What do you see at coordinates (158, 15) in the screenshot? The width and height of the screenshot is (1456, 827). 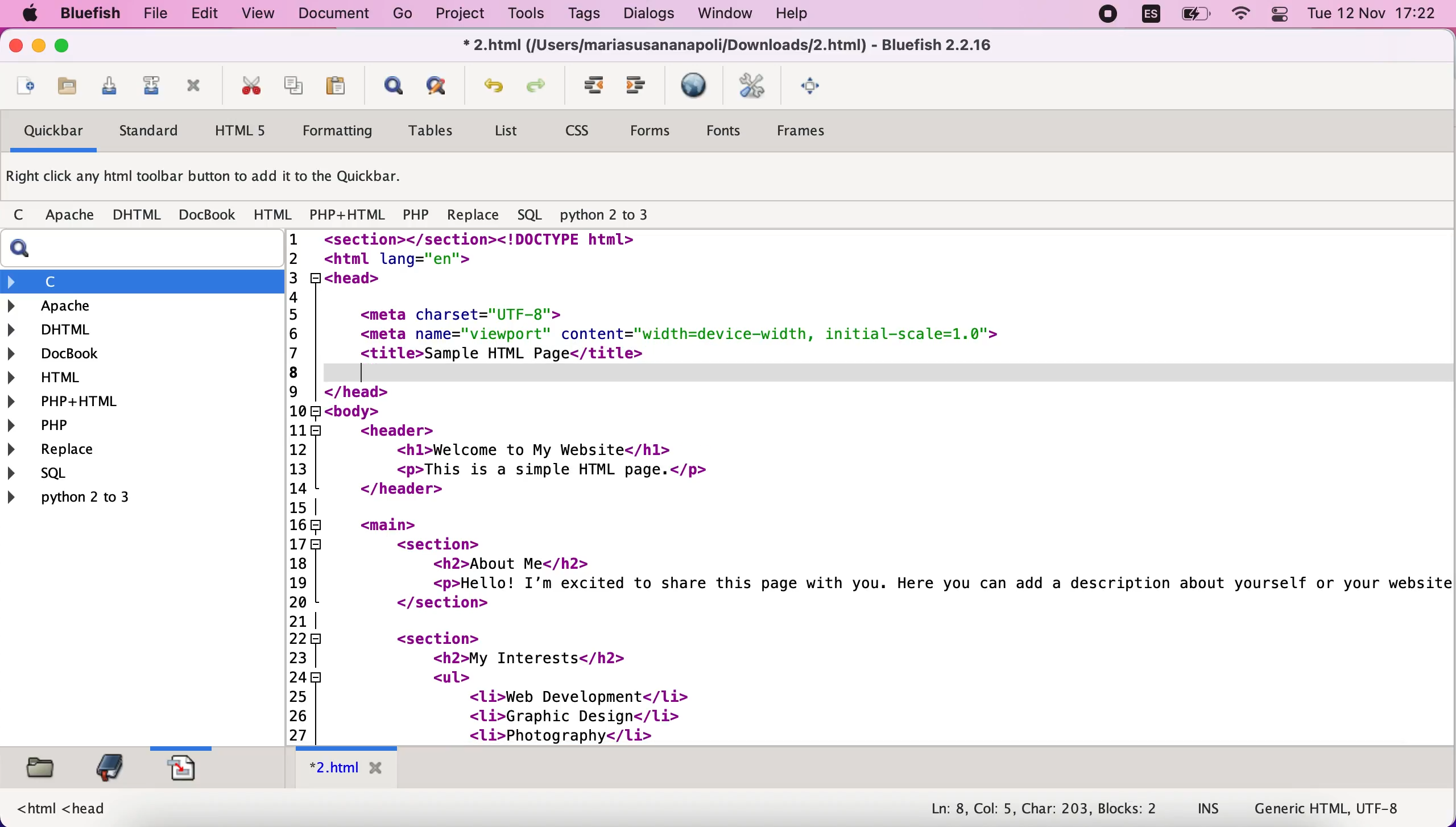 I see `file` at bounding box center [158, 15].